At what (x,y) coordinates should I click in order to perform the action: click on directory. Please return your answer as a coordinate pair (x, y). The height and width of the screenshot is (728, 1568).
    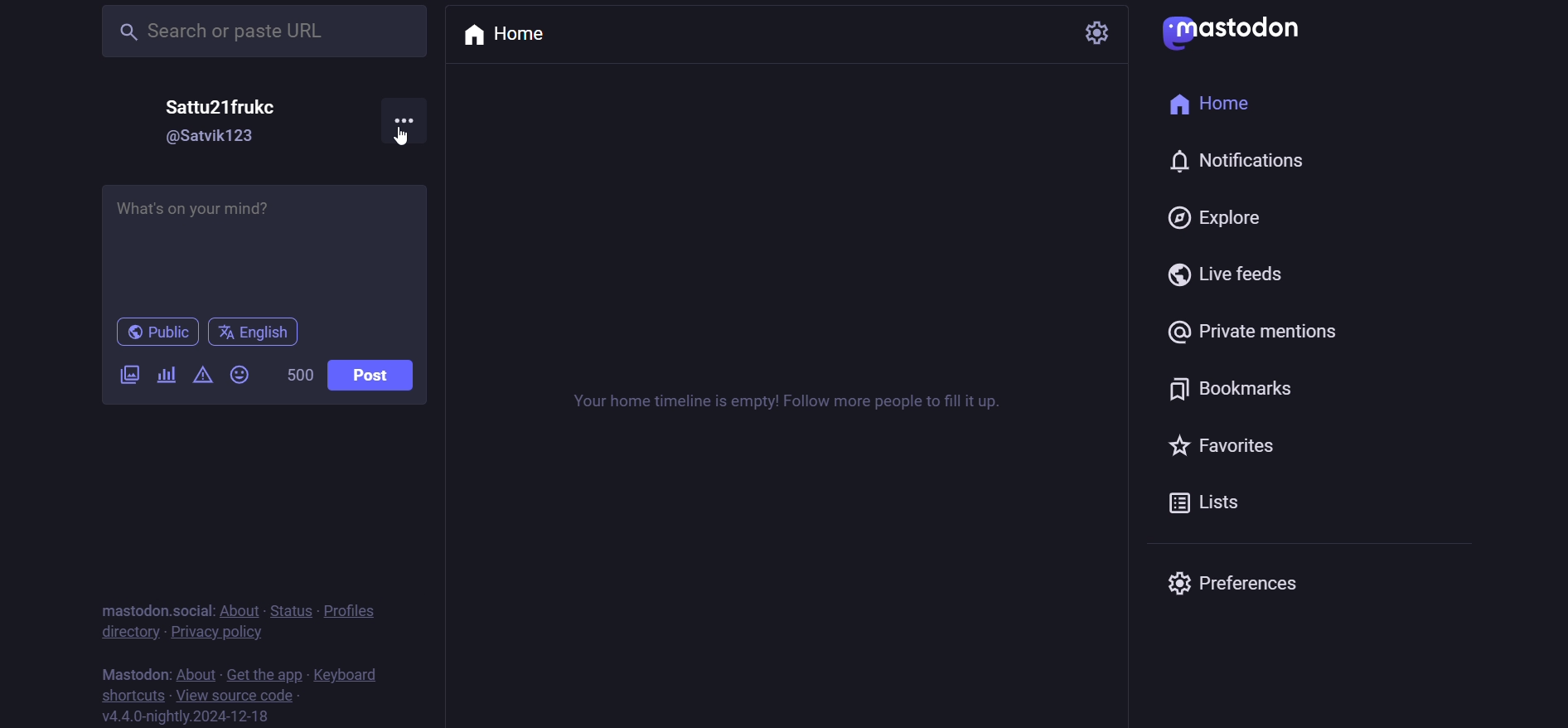
    Looking at the image, I should click on (126, 630).